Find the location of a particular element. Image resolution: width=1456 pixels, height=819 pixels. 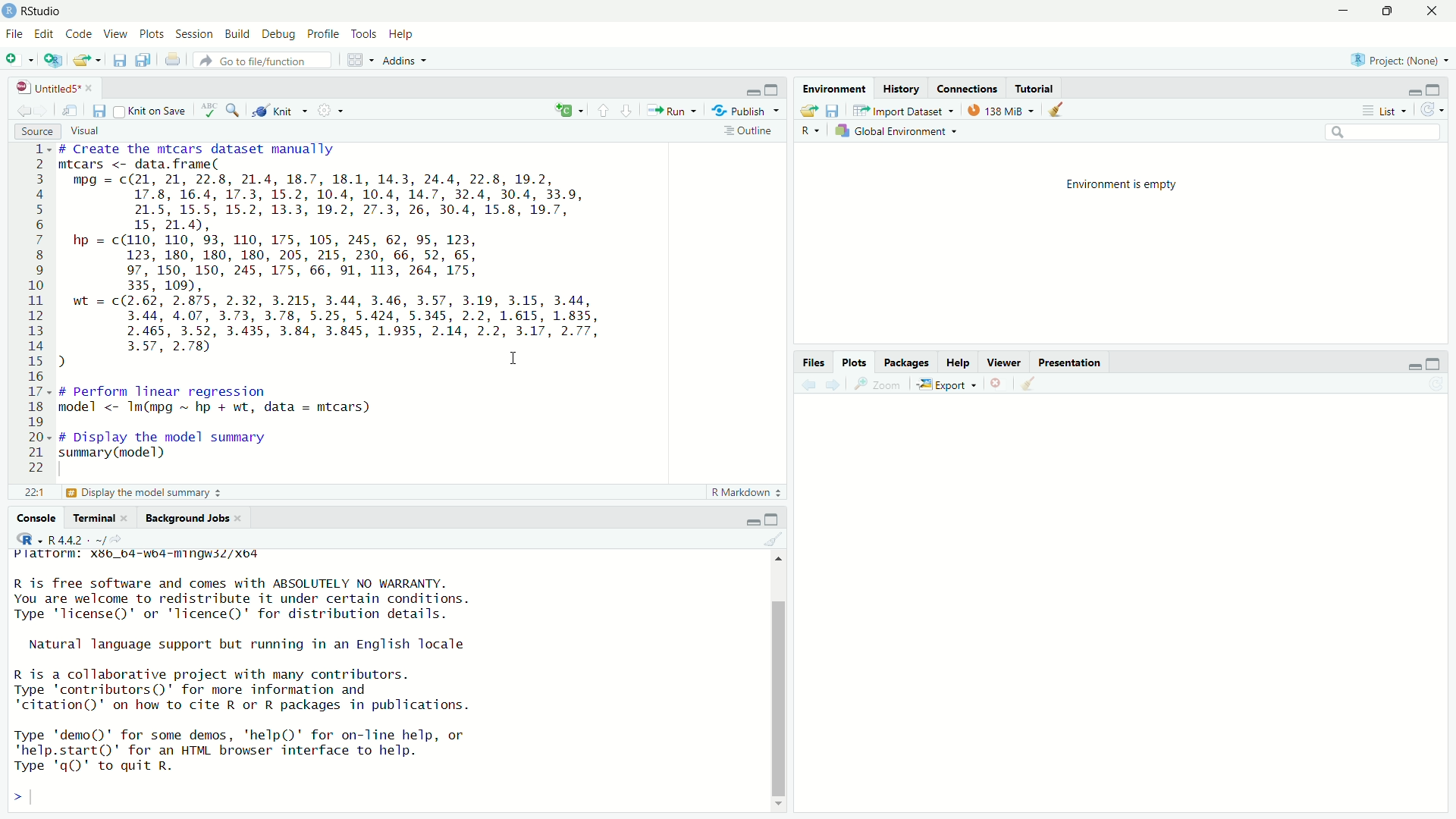

138MB is located at coordinates (1004, 112).